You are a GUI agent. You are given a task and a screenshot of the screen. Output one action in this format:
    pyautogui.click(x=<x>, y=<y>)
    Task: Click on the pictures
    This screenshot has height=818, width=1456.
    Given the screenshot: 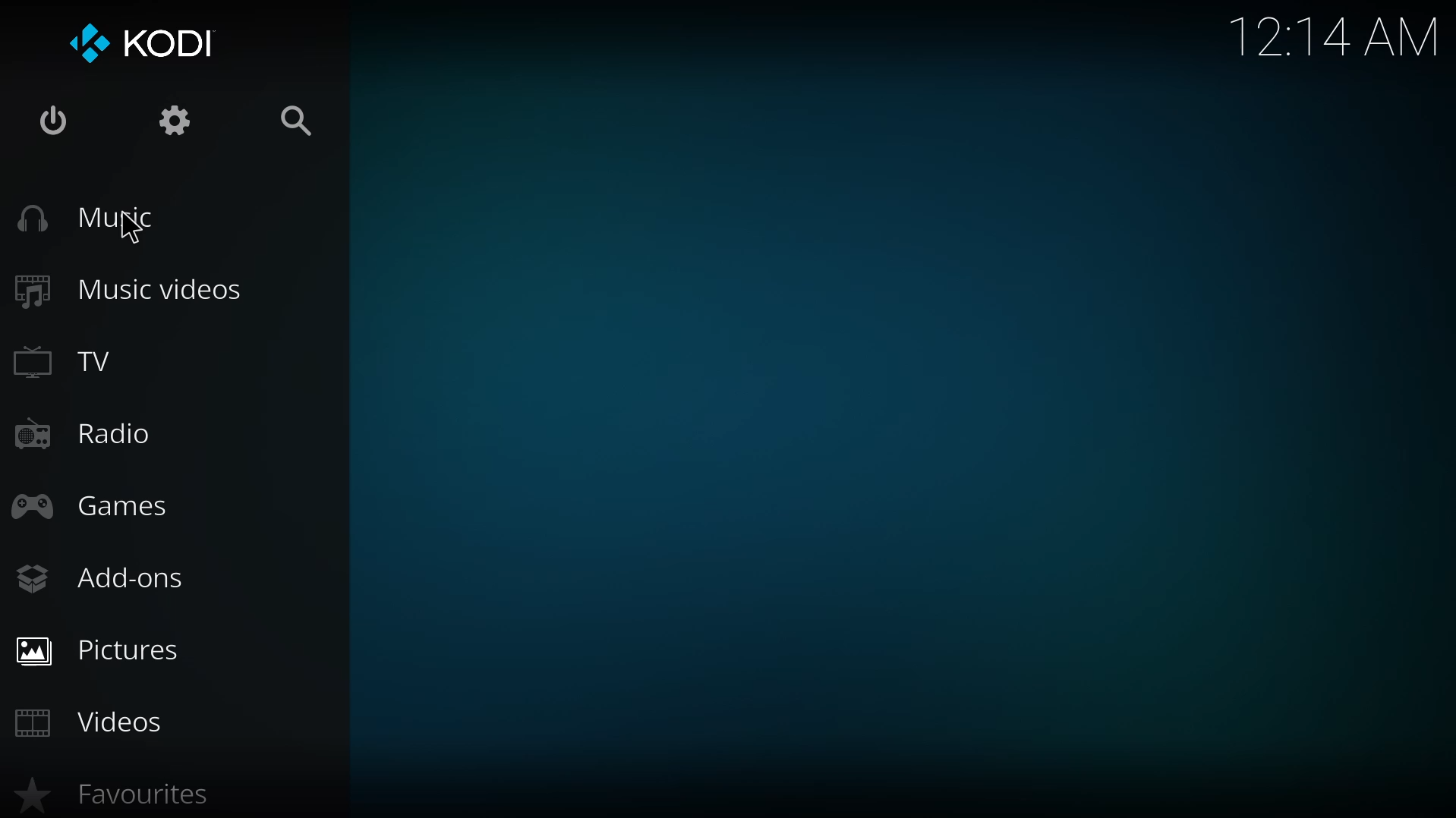 What is the action you would take?
    pyautogui.click(x=102, y=648)
    